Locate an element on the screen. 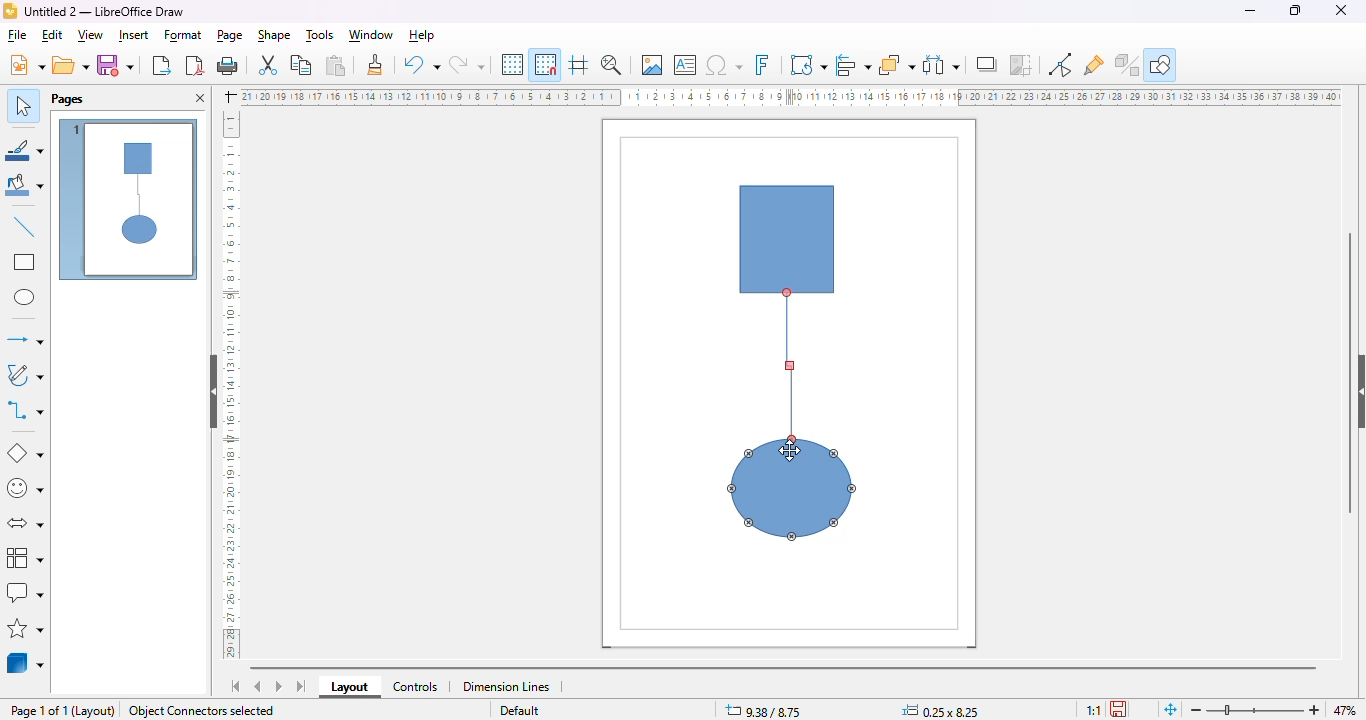 This screenshot has height=720, width=1366. basic shapes is located at coordinates (26, 454).